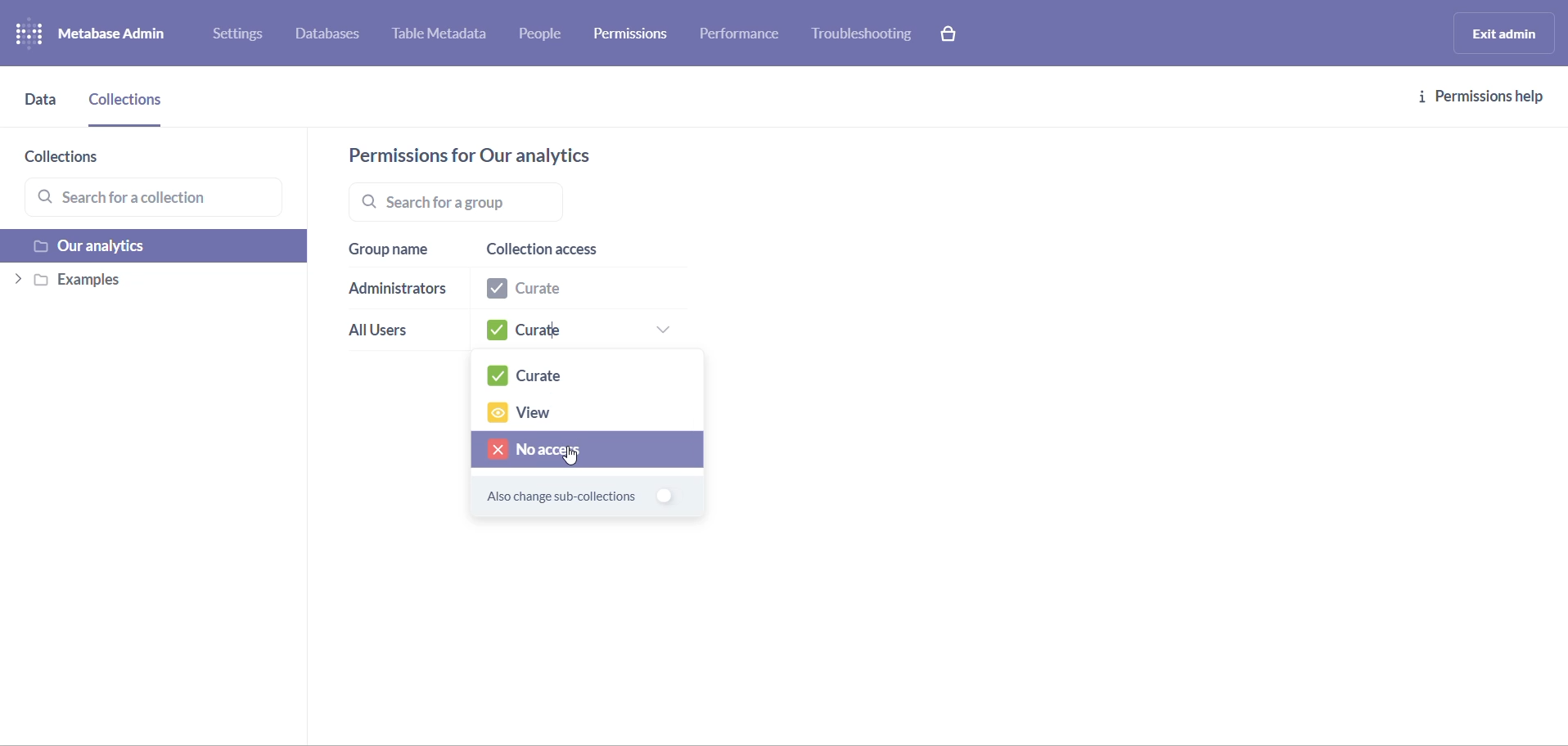 Image resolution: width=1568 pixels, height=746 pixels. I want to click on data, so click(42, 108).